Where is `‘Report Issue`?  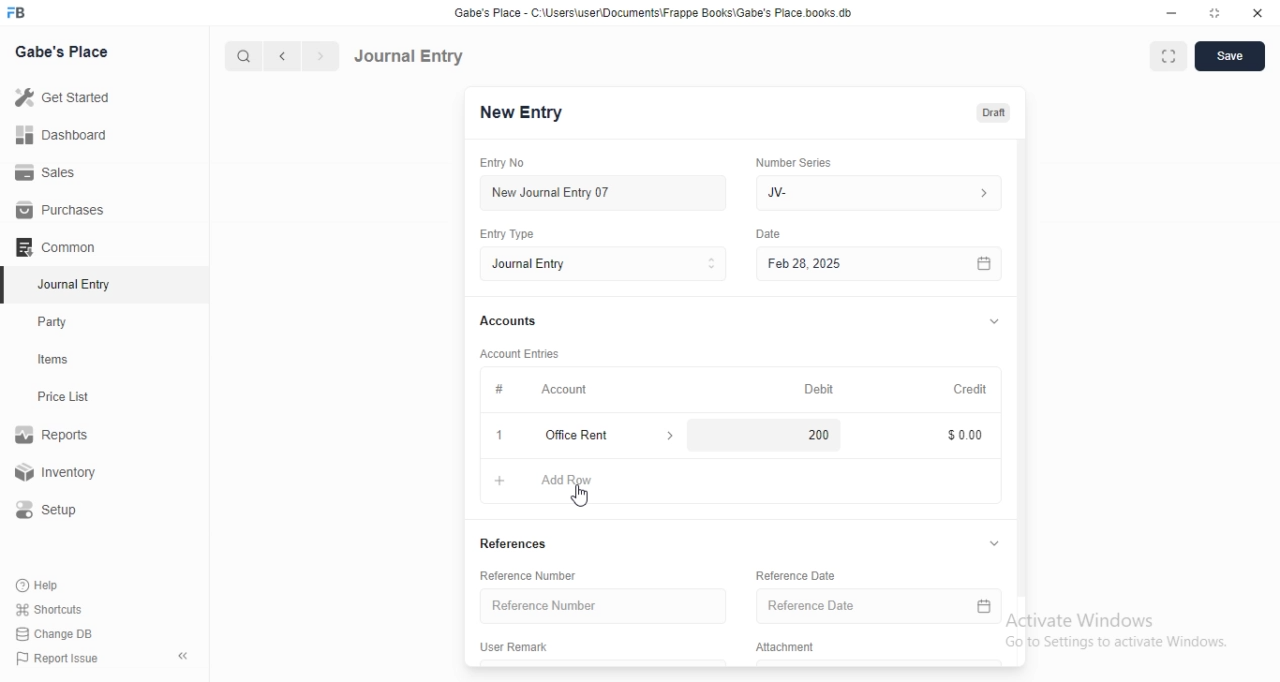 ‘Report Issue is located at coordinates (55, 658).